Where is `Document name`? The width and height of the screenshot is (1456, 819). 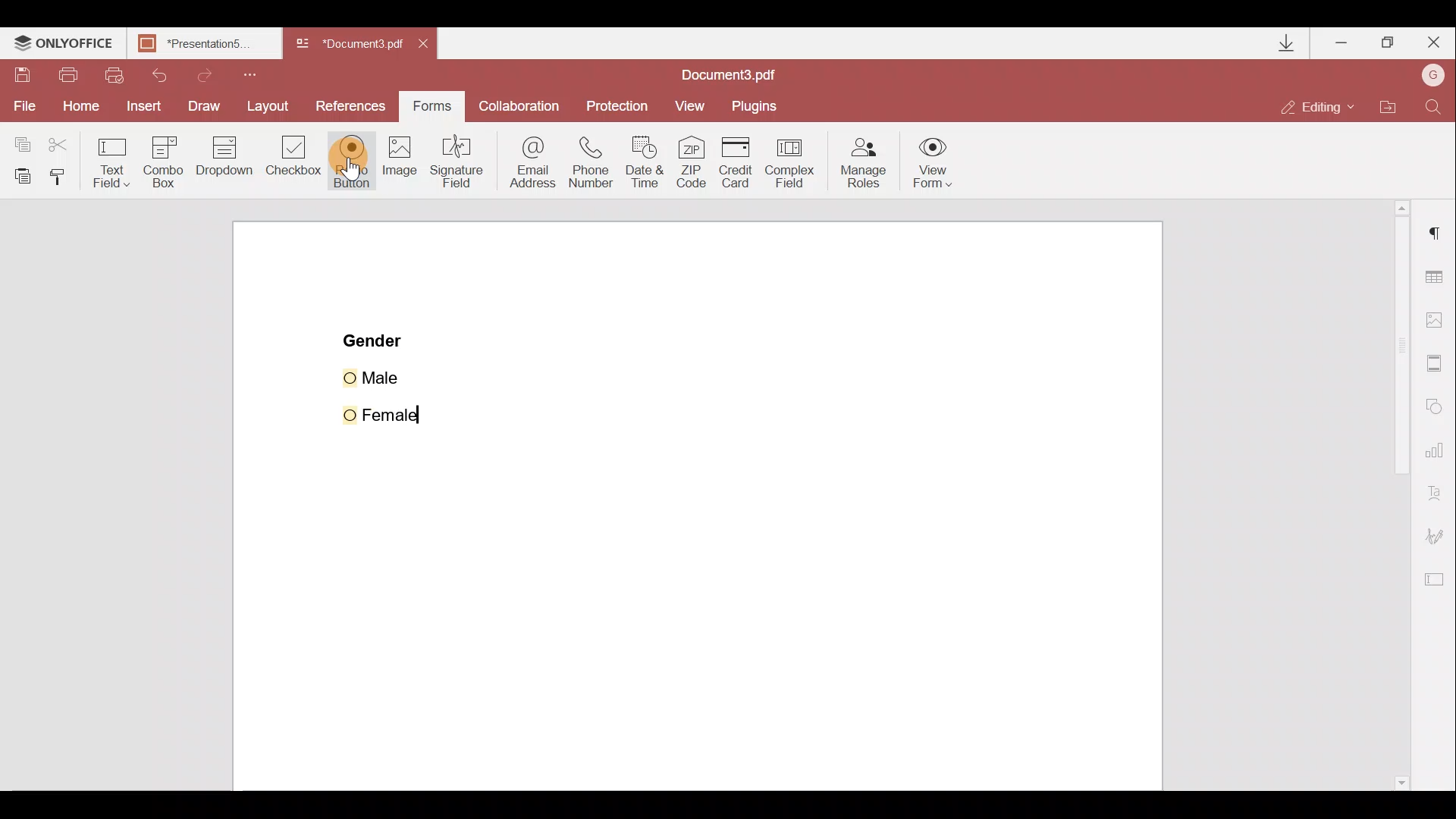
Document name is located at coordinates (352, 44).